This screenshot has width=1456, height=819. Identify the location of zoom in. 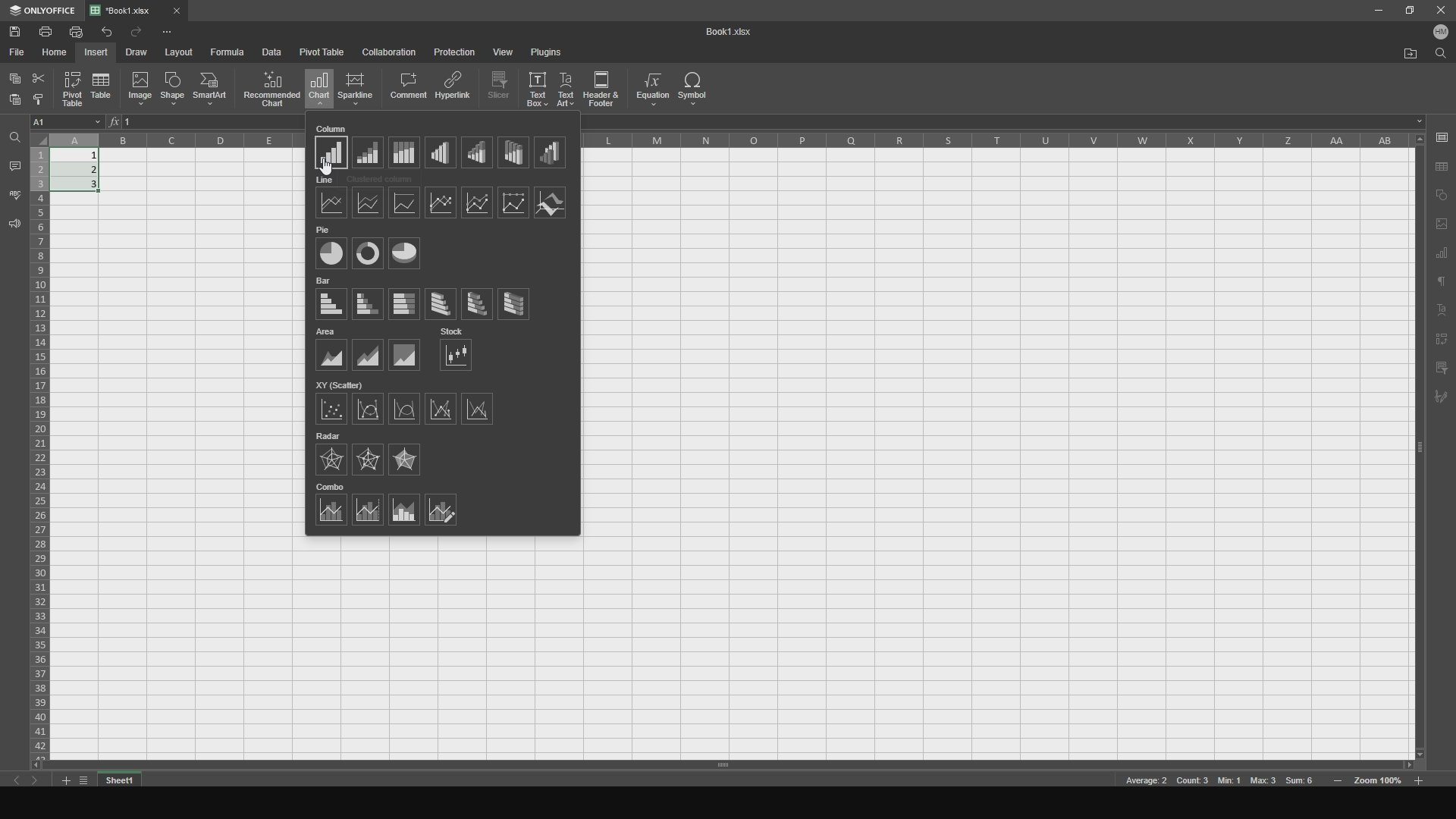
(1338, 782).